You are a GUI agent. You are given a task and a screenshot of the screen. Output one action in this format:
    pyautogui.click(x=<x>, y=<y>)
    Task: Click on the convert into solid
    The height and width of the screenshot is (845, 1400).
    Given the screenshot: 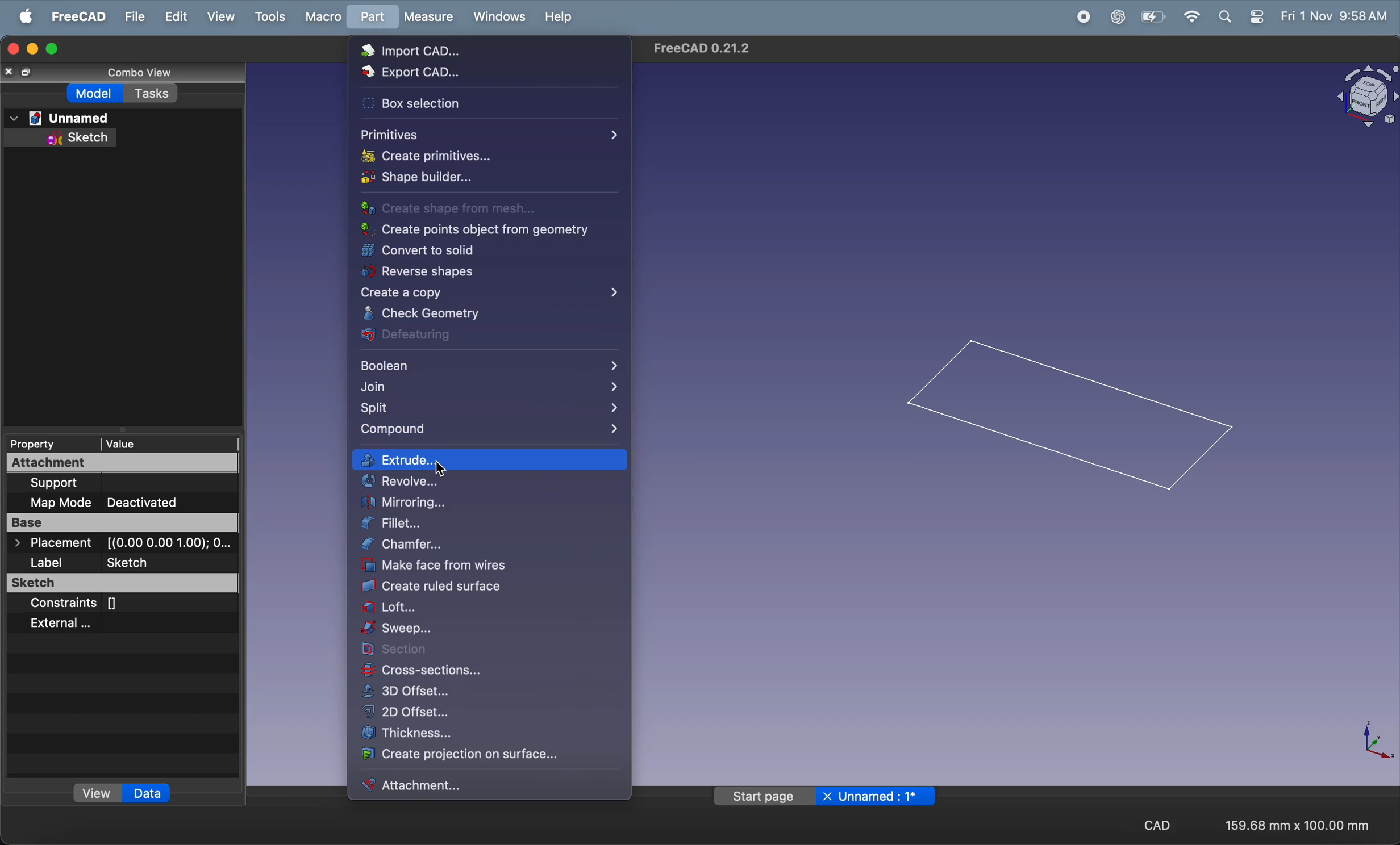 What is the action you would take?
    pyautogui.click(x=480, y=250)
    